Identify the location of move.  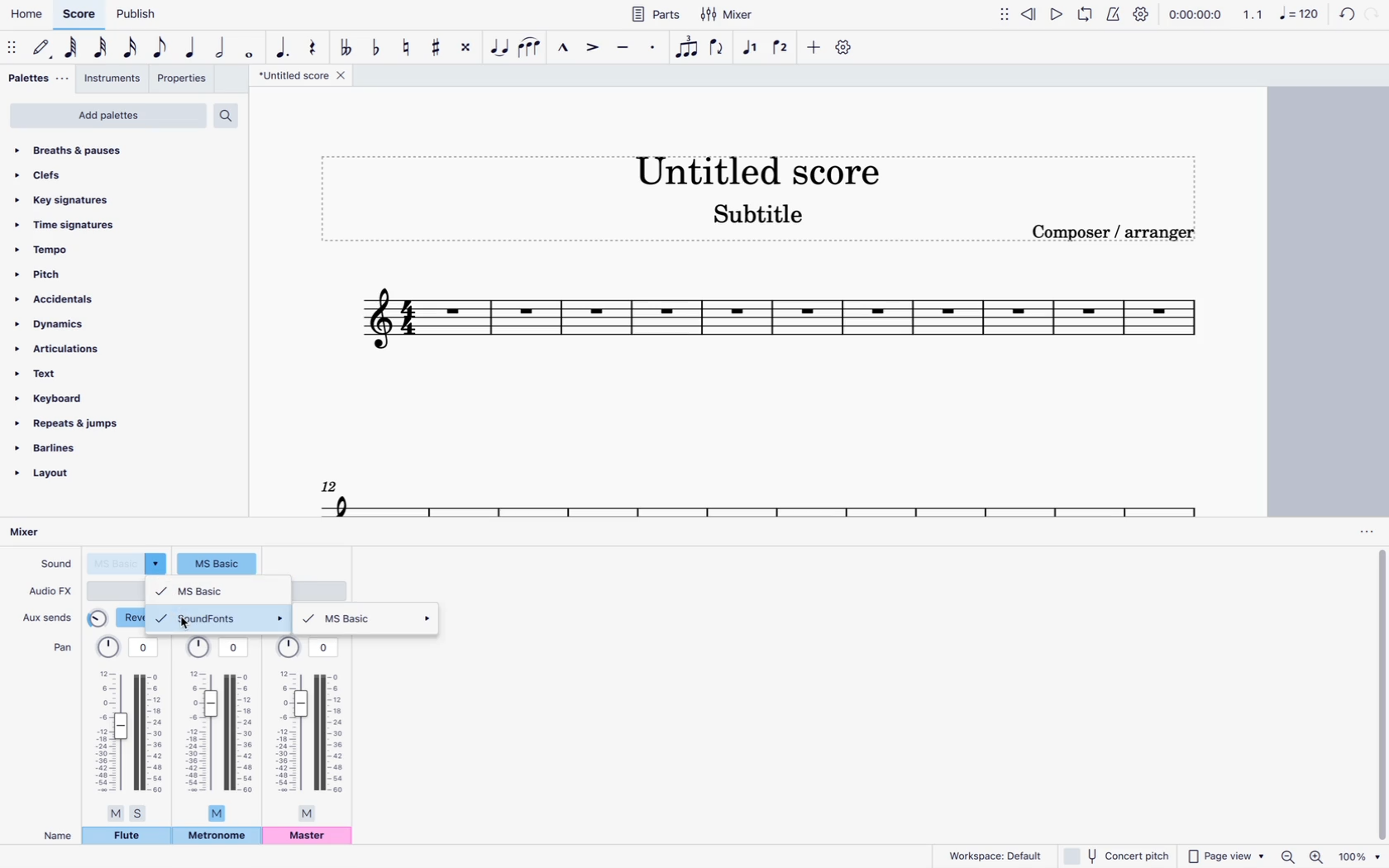
(13, 46).